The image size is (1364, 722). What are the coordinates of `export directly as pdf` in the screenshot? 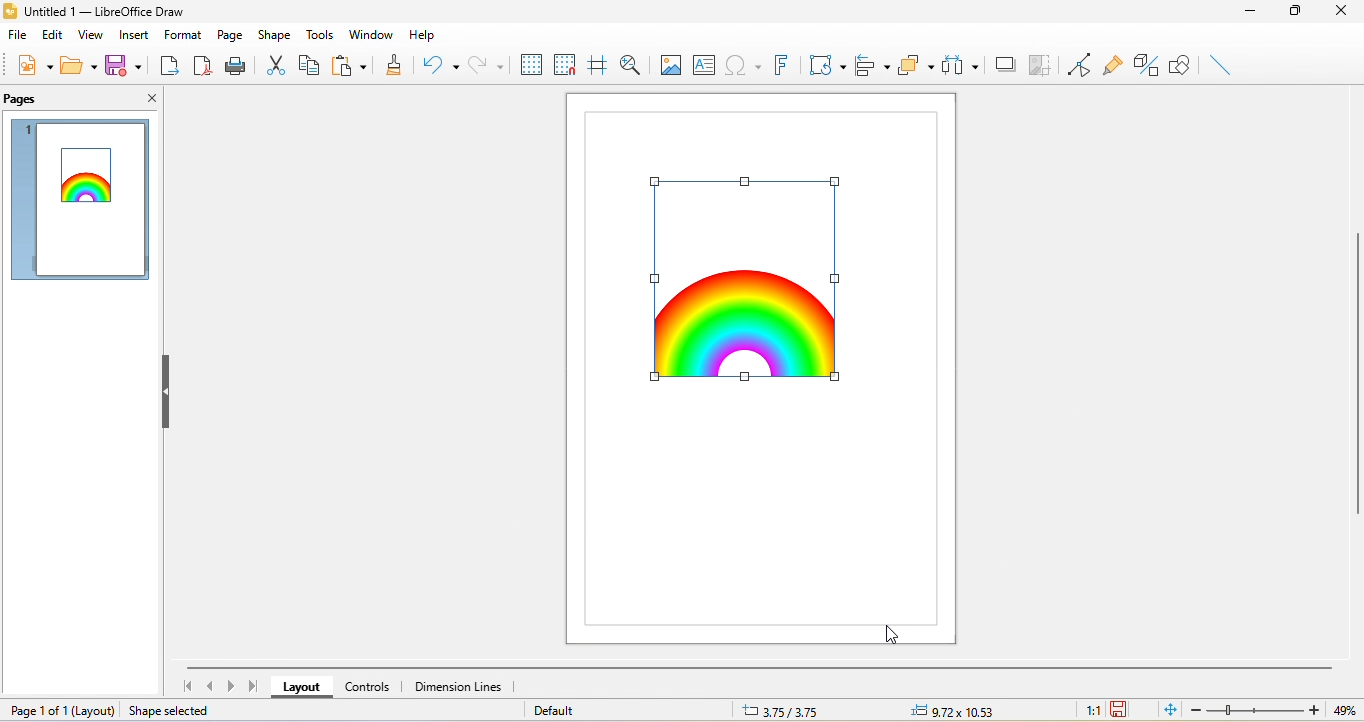 It's located at (201, 67).